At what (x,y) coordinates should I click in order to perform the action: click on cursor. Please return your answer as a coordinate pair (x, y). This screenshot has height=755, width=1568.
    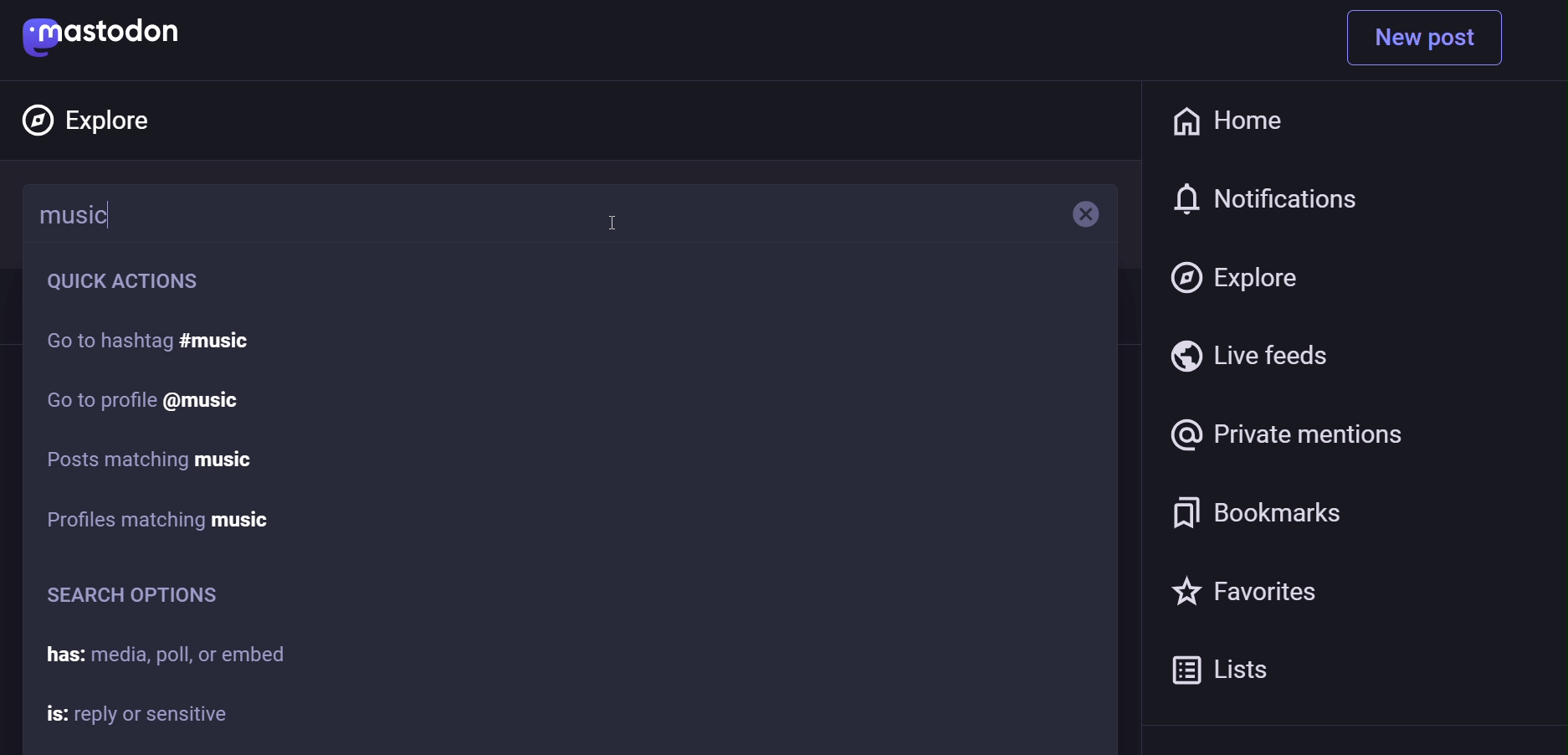
    Looking at the image, I should click on (609, 223).